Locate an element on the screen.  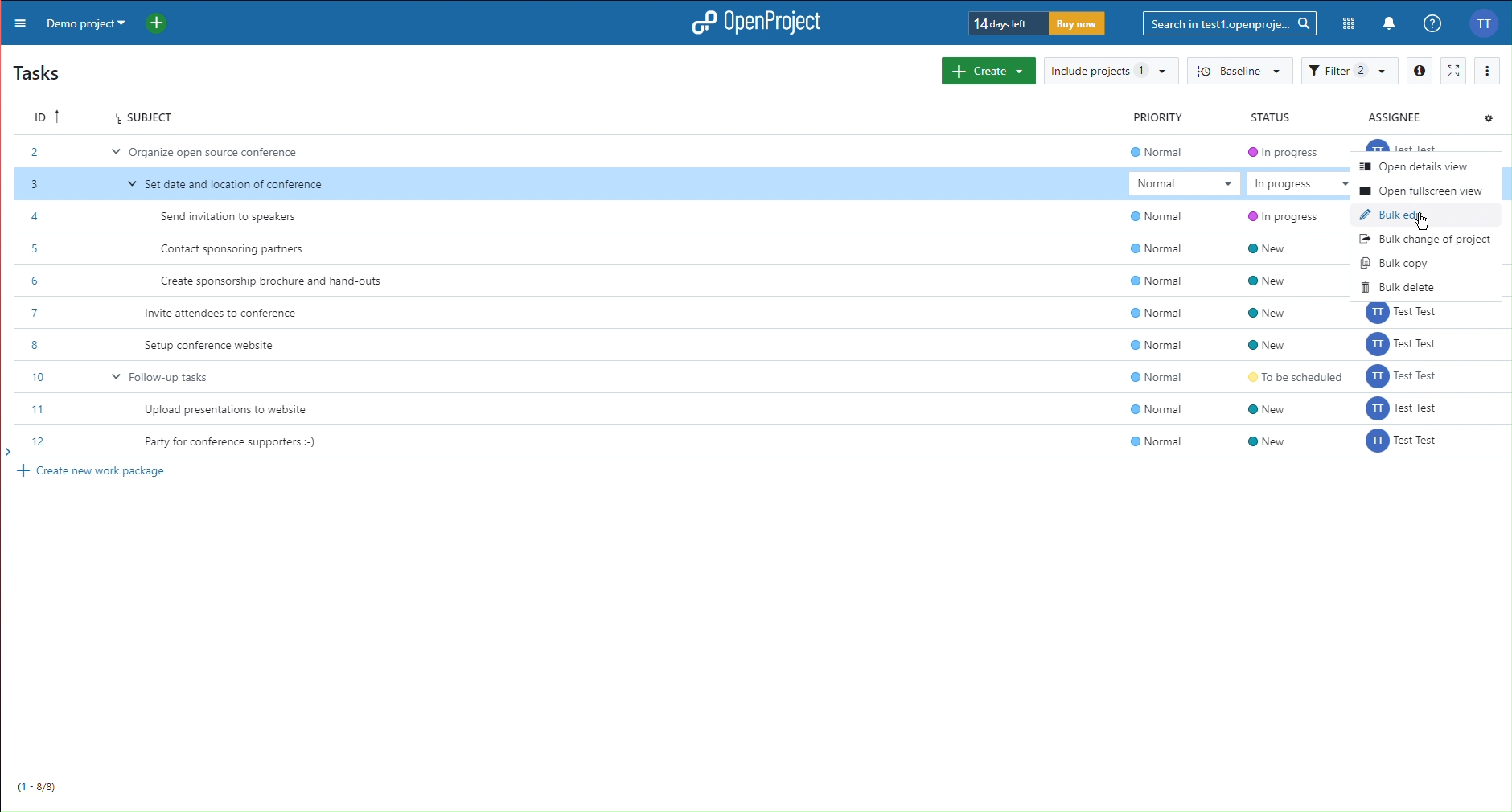
Party for conference supporters :-) is located at coordinates (232, 443).